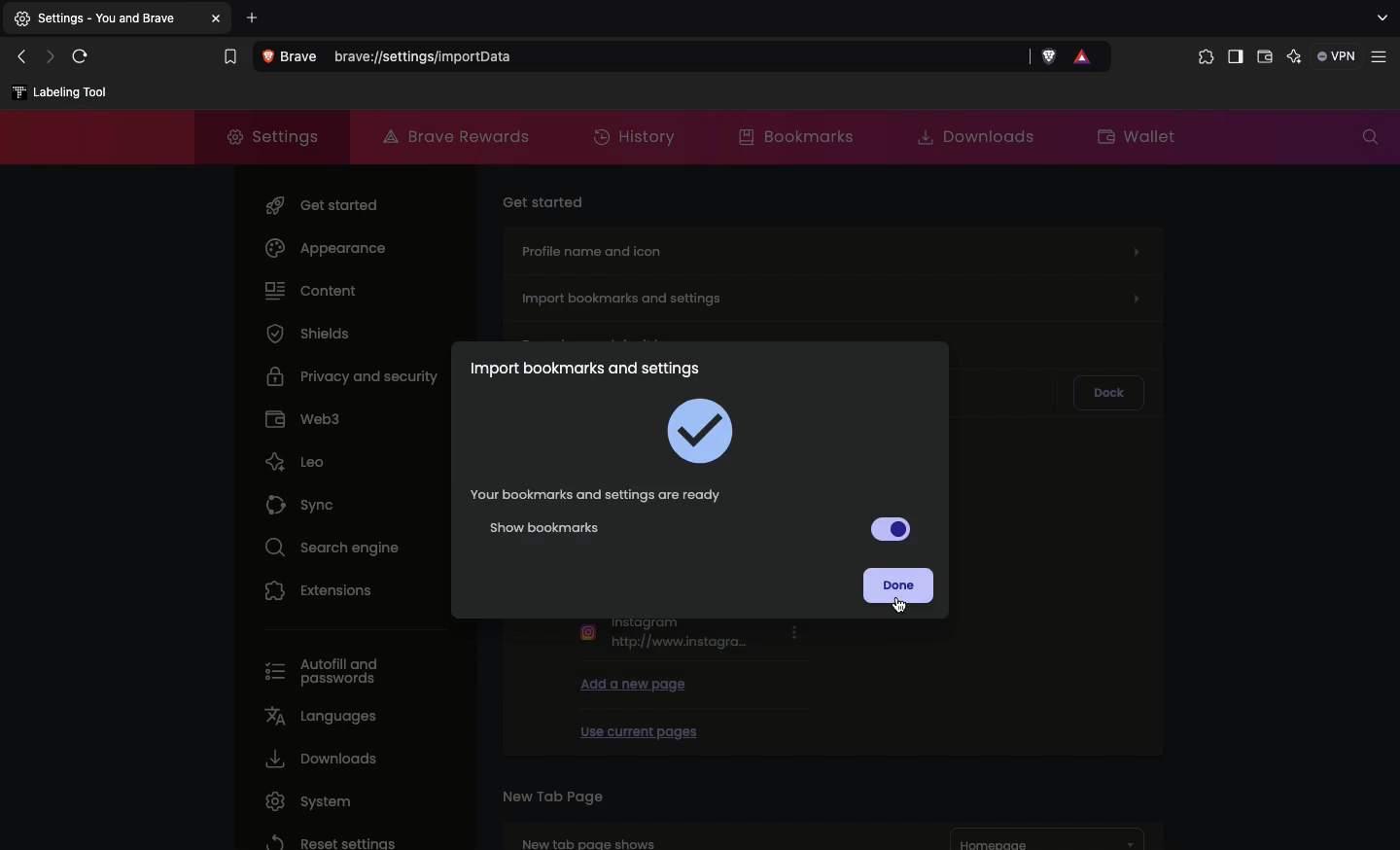 The height and width of the screenshot is (850, 1400). I want to click on Wallet, so click(1138, 134).